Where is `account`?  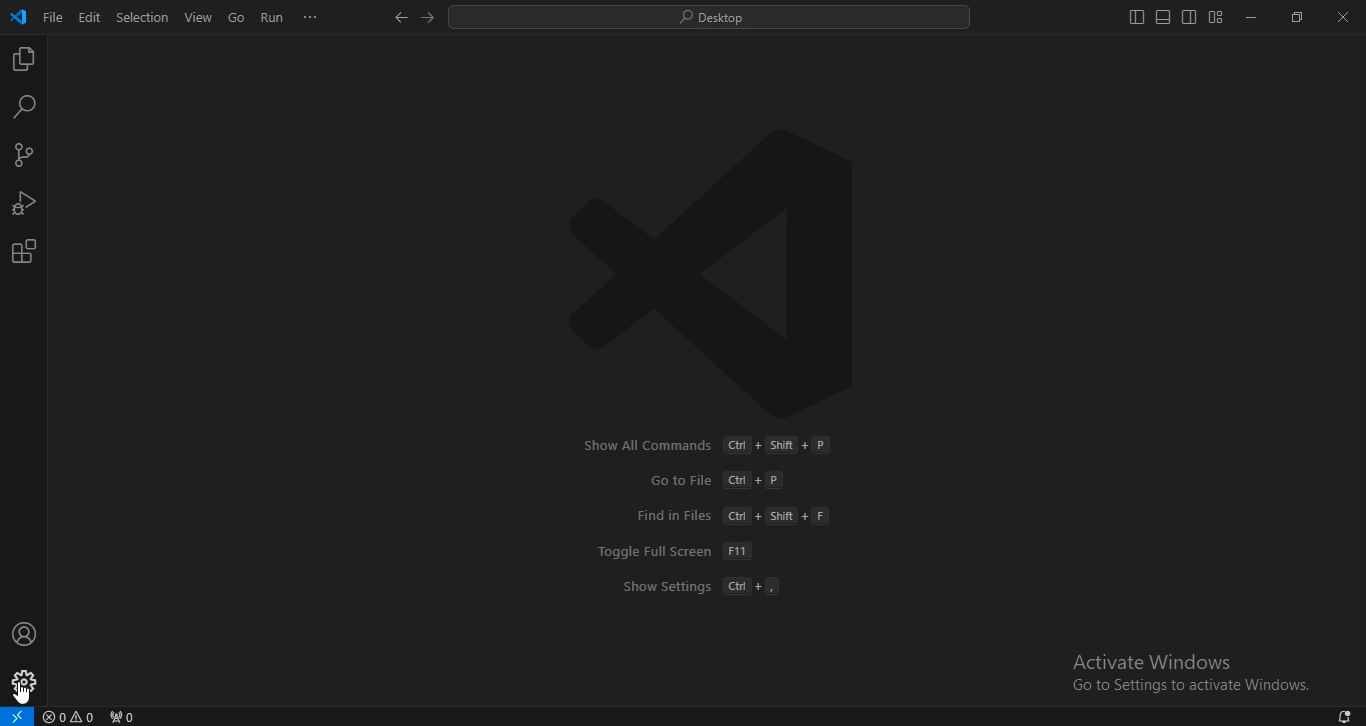 account is located at coordinates (23, 635).